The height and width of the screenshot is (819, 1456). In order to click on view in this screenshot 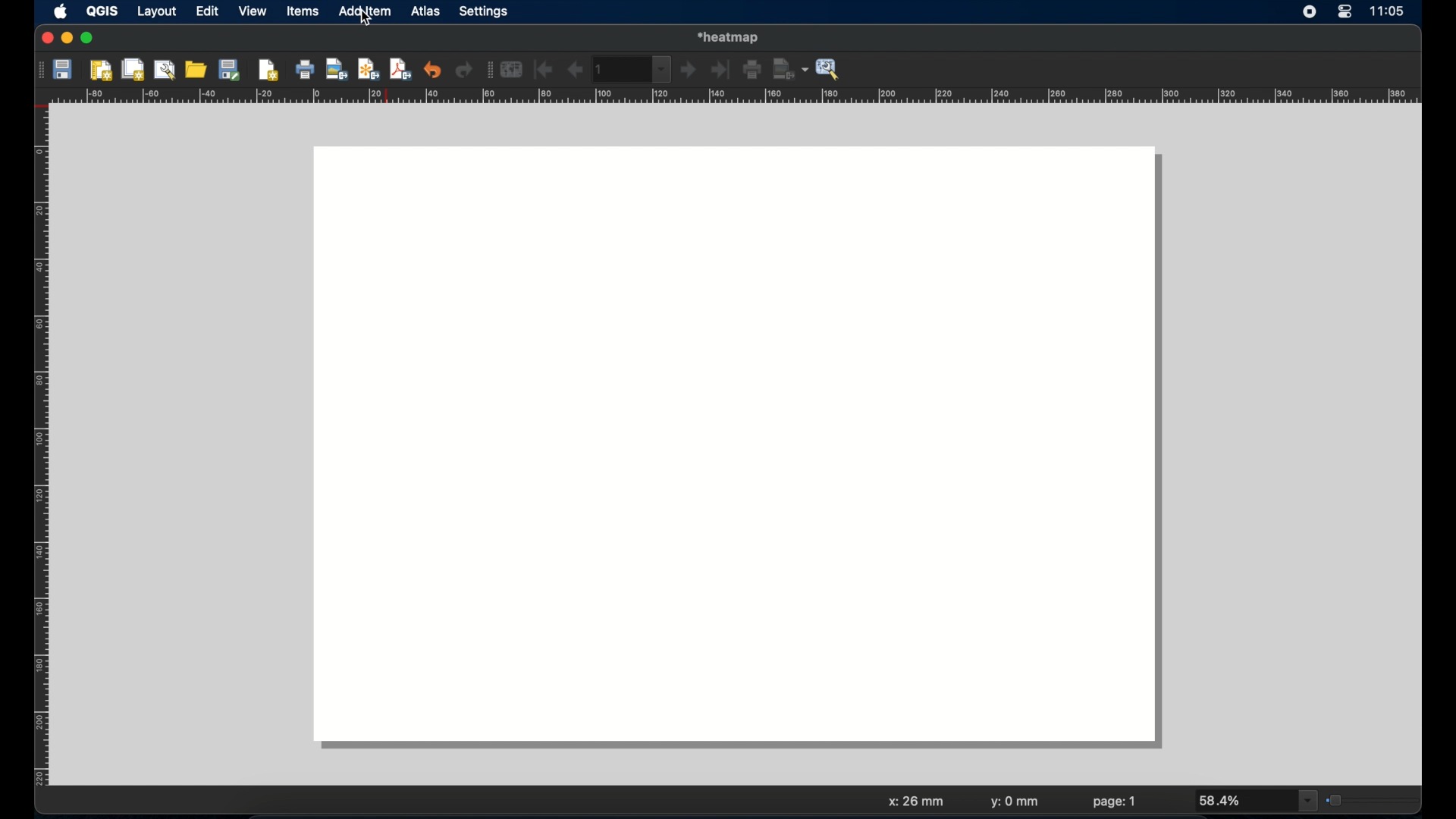, I will do `click(252, 12)`.